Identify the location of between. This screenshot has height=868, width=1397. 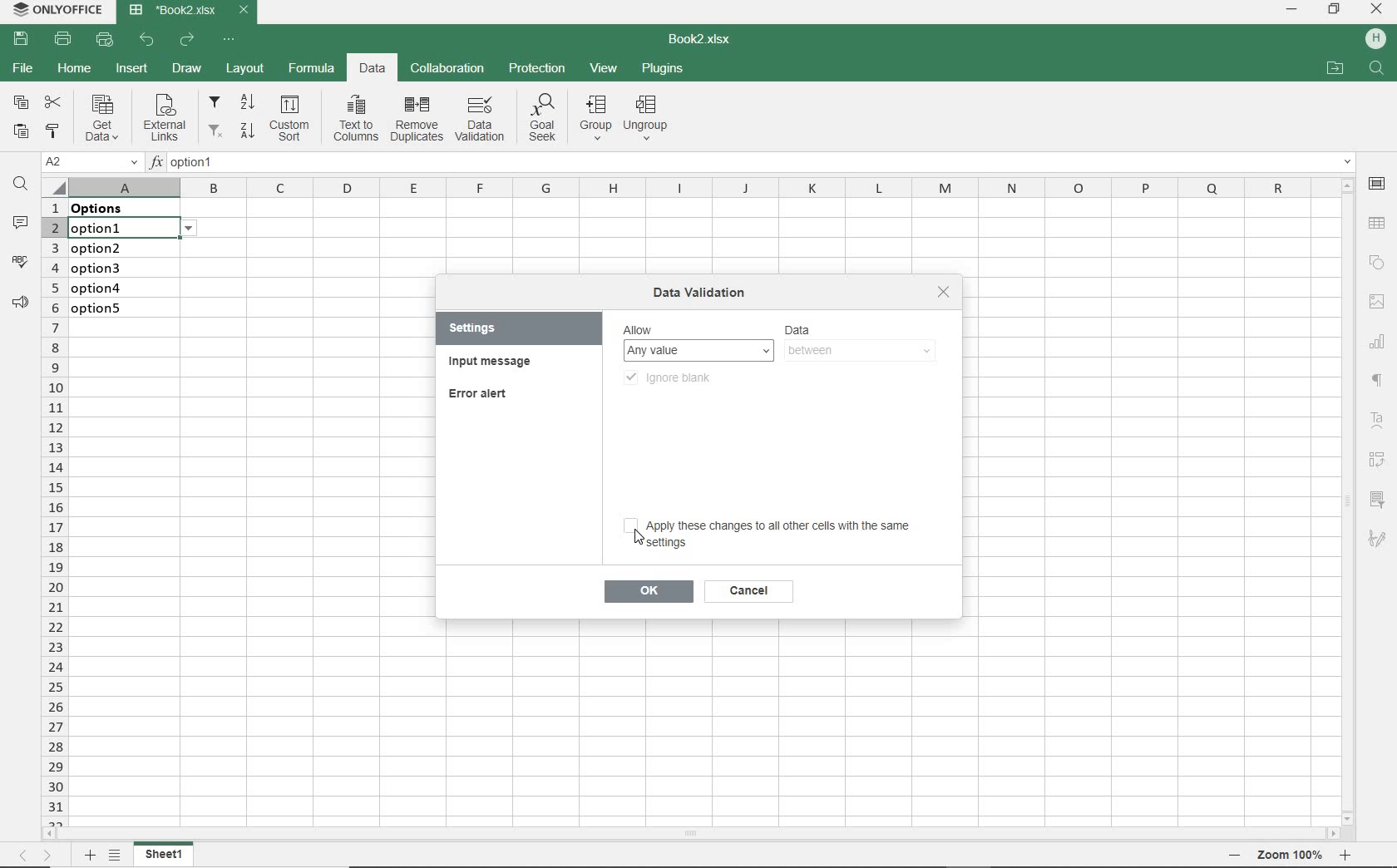
(857, 351).